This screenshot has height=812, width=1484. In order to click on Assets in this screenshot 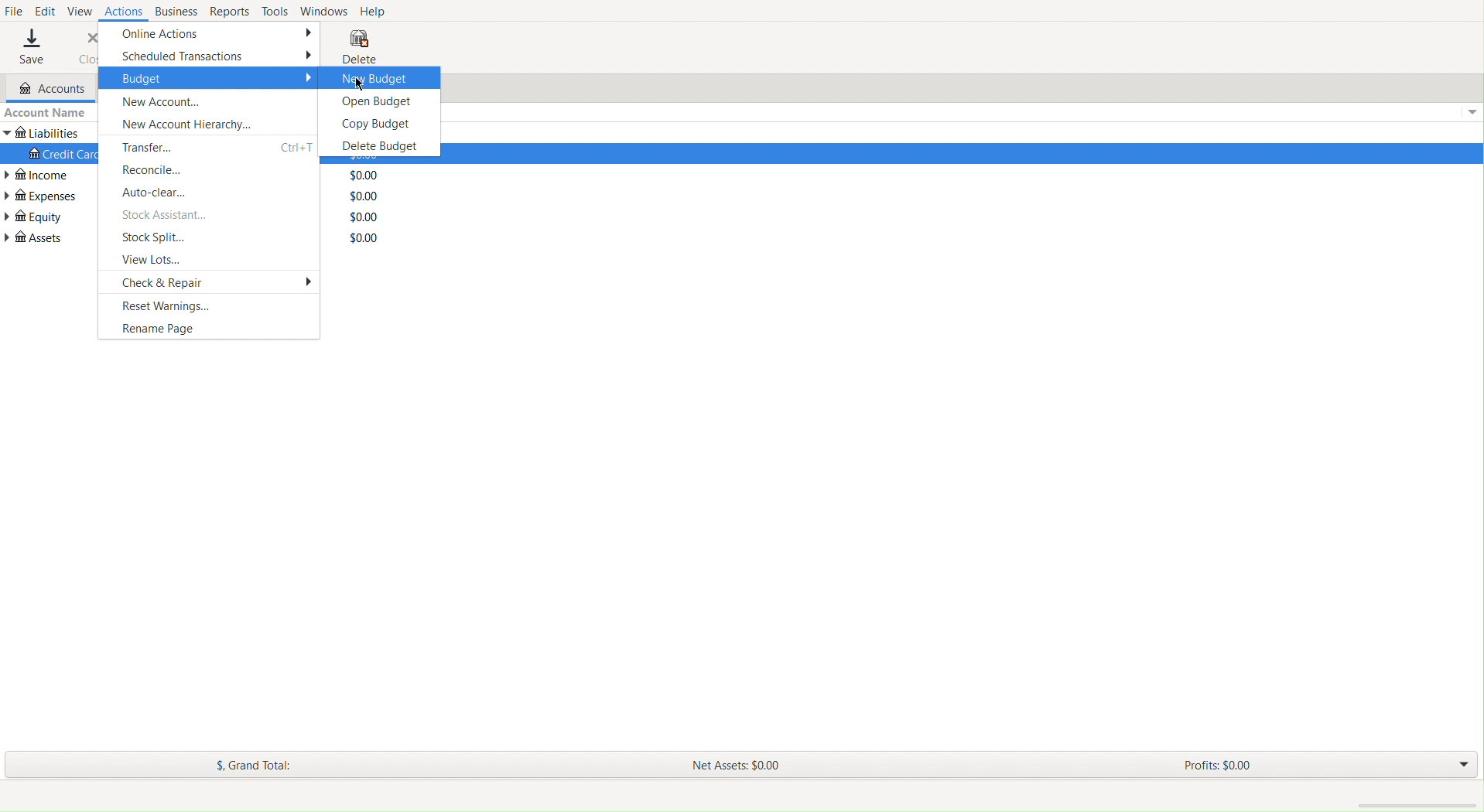, I will do `click(34, 242)`.